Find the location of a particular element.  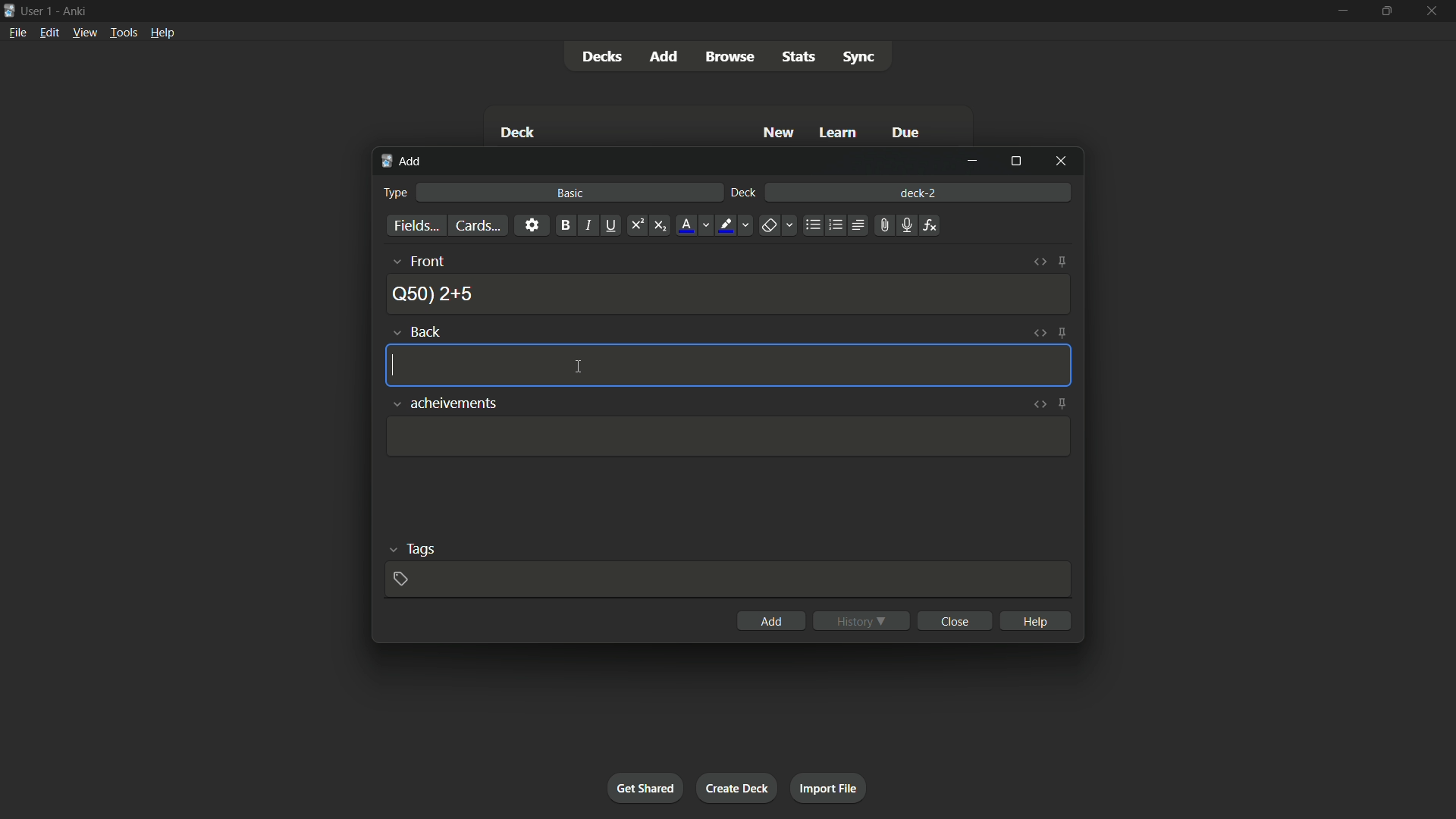

deck-2 is located at coordinates (920, 192).